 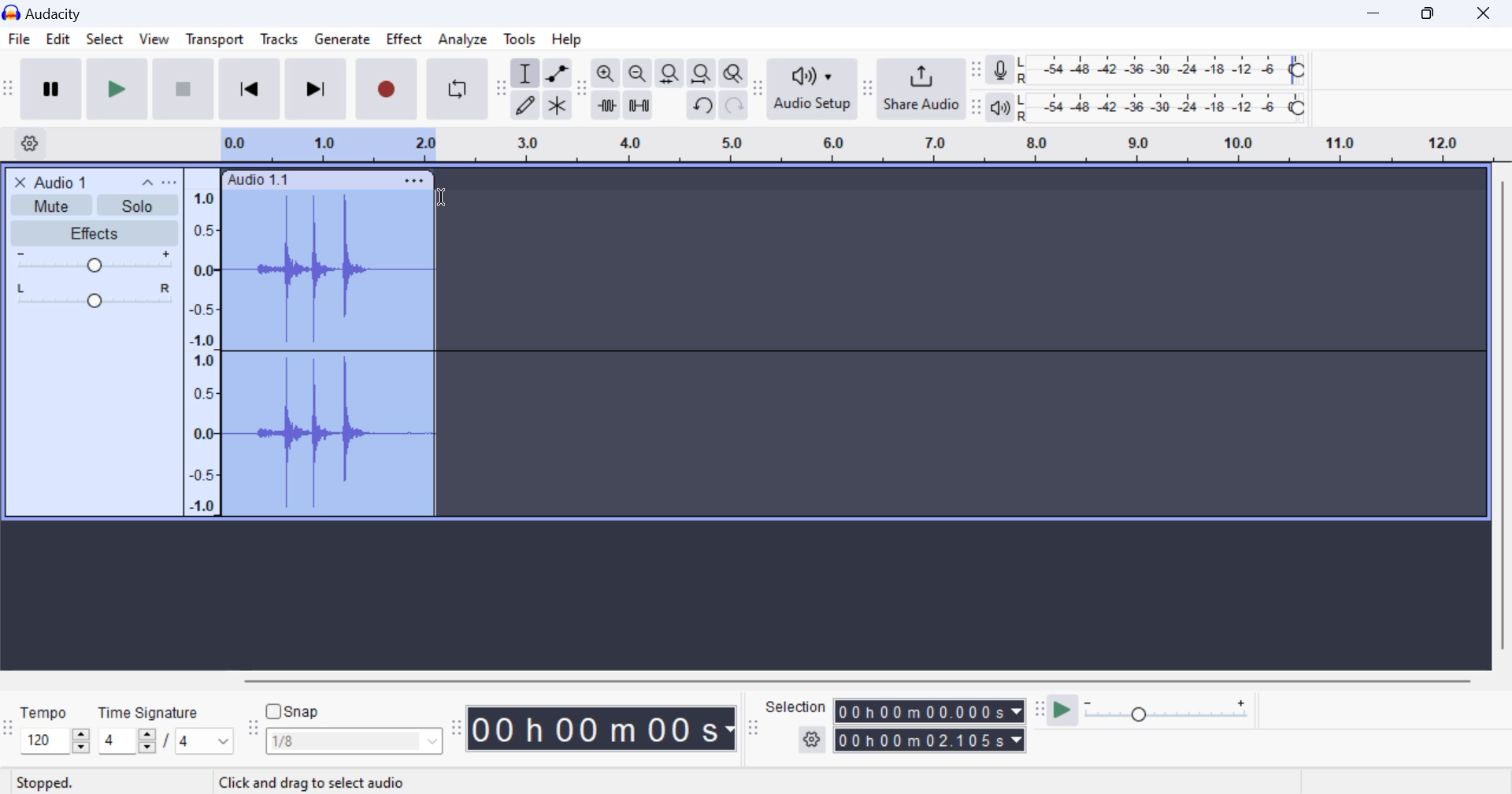 What do you see at coordinates (1001, 72) in the screenshot?
I see `record meter` at bounding box center [1001, 72].